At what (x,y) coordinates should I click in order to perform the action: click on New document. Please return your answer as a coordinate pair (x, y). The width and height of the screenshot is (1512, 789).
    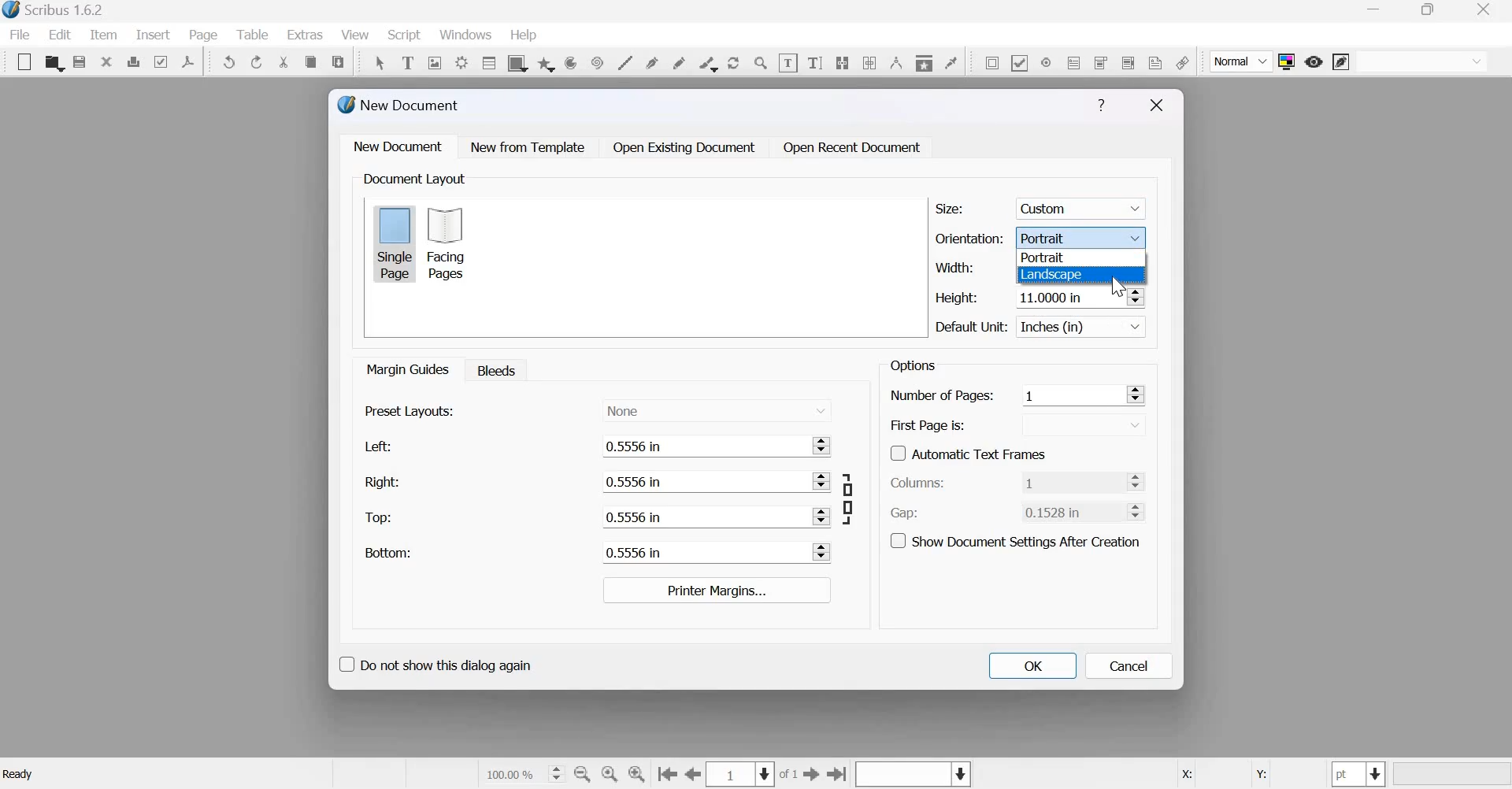
    Looking at the image, I should click on (398, 146).